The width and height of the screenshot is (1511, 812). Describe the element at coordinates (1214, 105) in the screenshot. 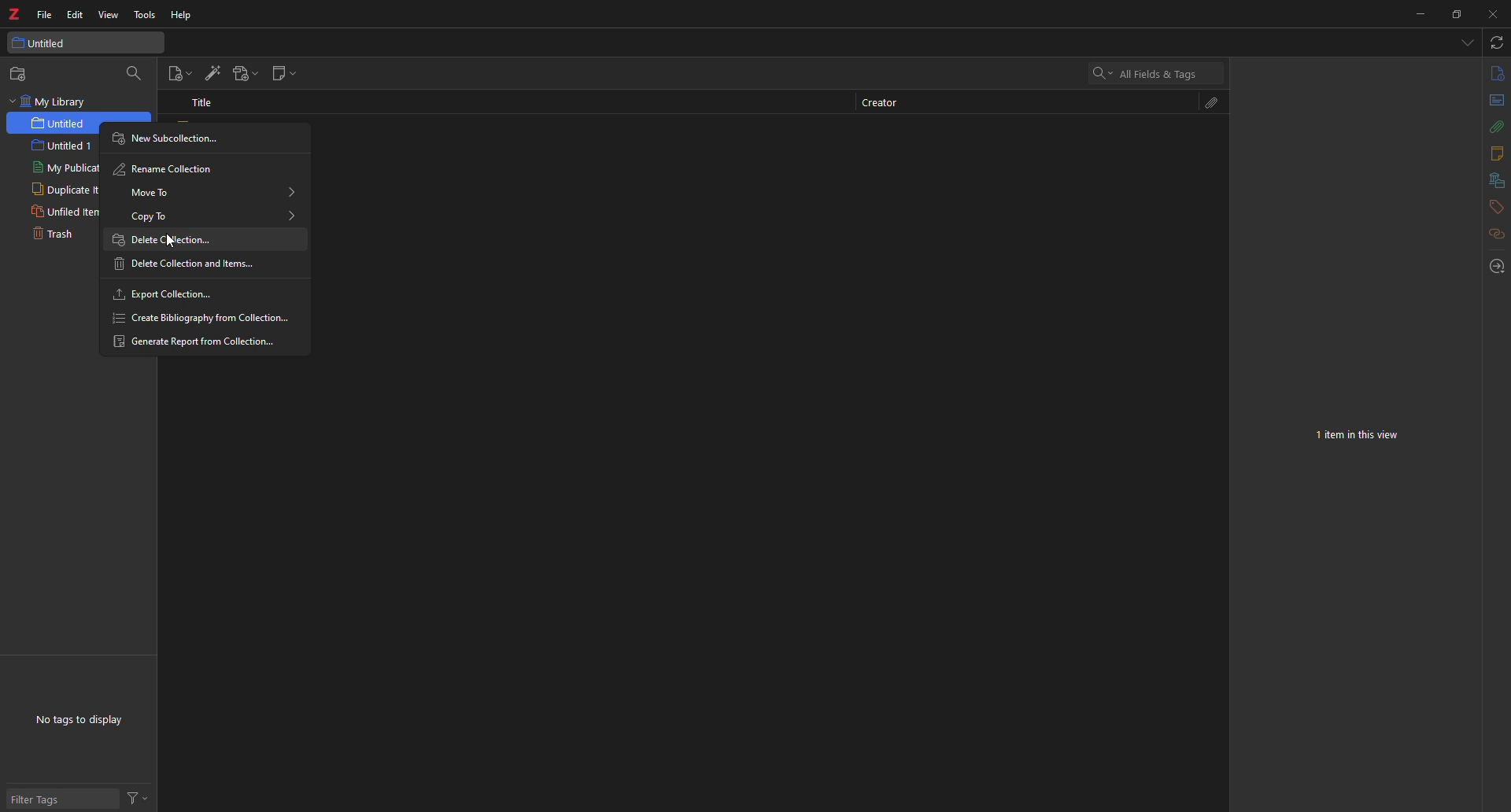

I see `attach` at that location.